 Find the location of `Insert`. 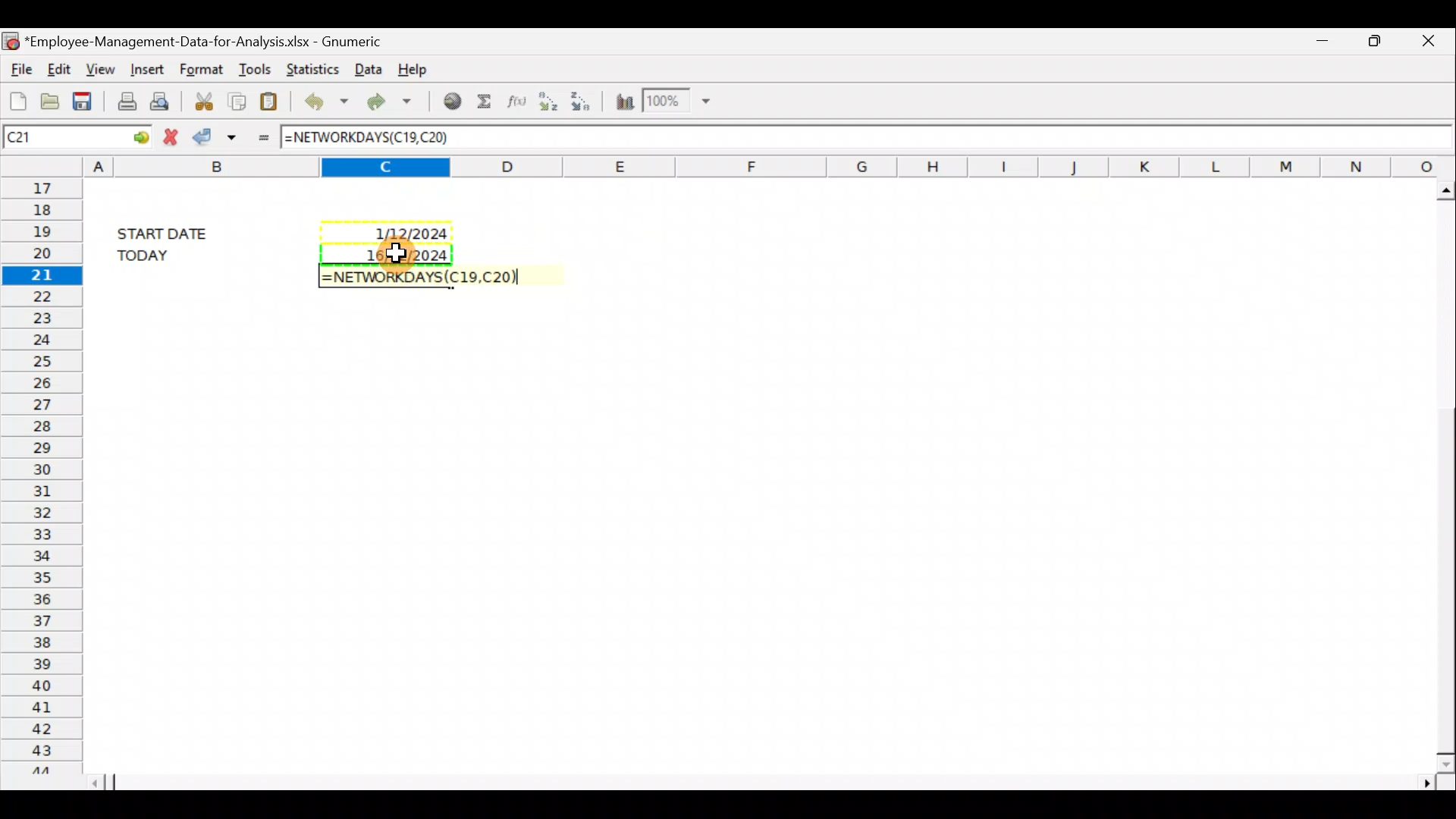

Insert is located at coordinates (146, 70).